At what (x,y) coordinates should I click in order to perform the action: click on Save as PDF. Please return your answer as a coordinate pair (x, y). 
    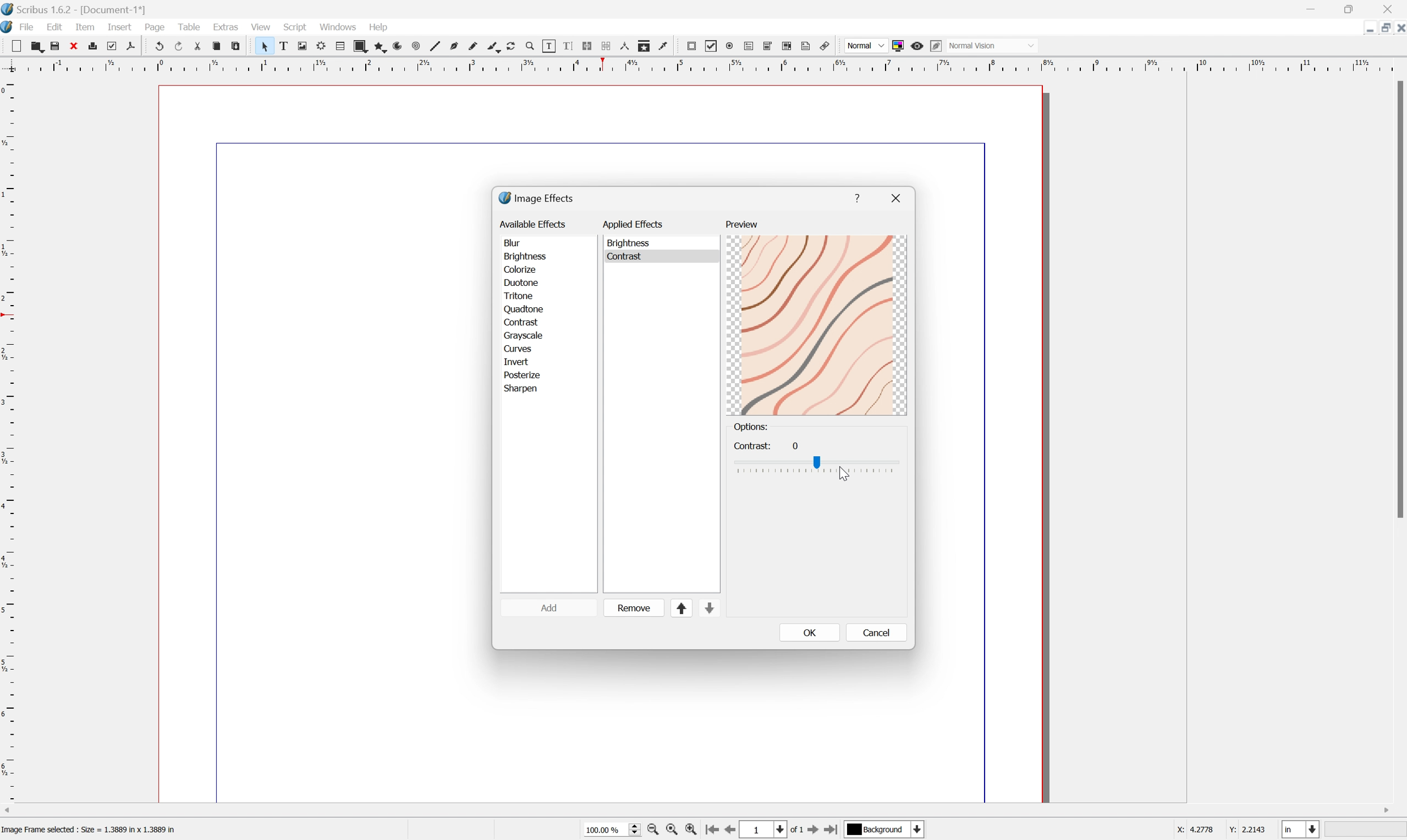
    Looking at the image, I should click on (131, 45).